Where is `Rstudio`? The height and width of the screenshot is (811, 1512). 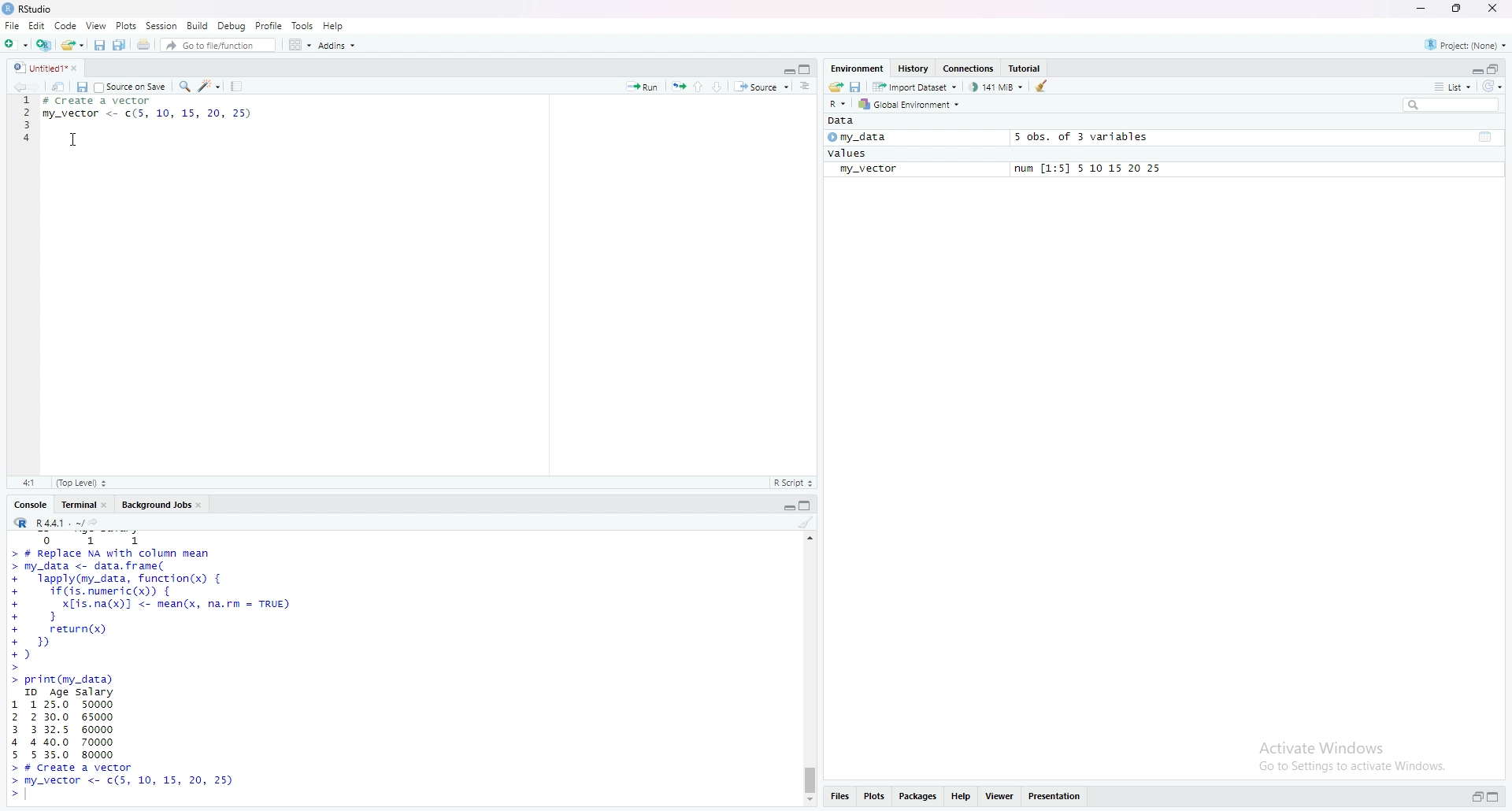
Rstudio is located at coordinates (31, 9).